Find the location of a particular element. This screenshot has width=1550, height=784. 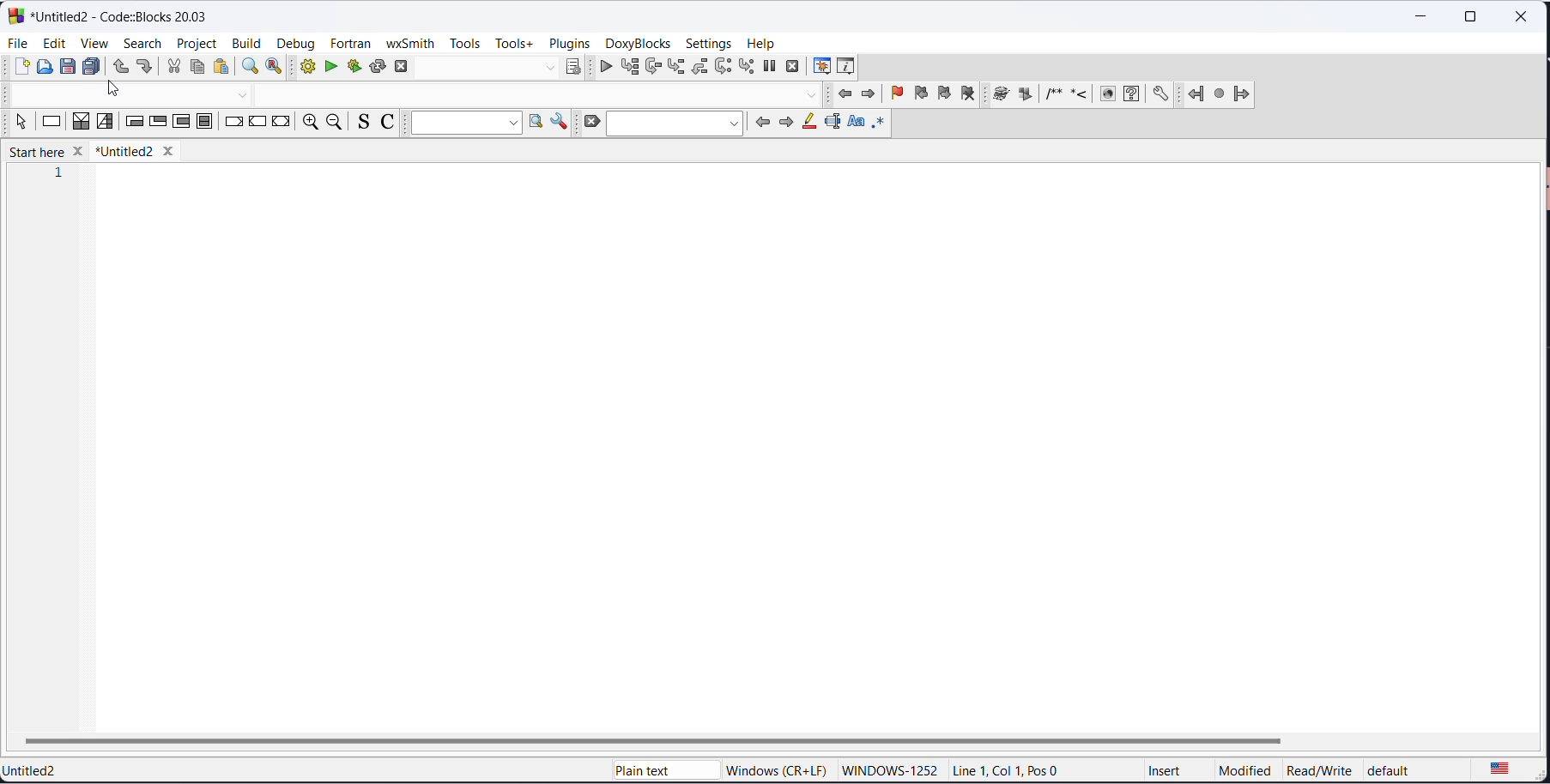

Debug is located at coordinates (294, 41).